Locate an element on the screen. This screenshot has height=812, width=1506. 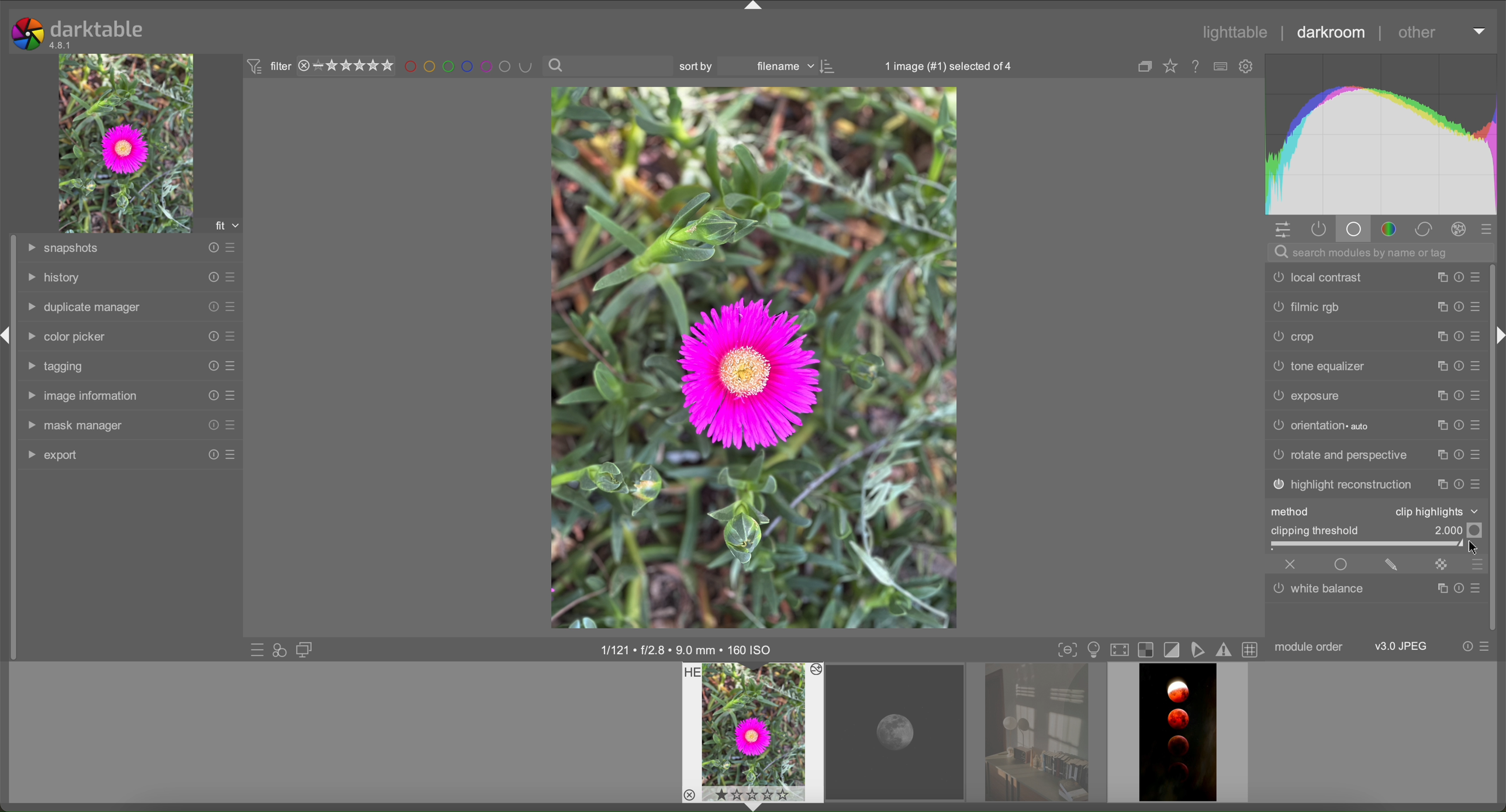
other is located at coordinates (1417, 35).